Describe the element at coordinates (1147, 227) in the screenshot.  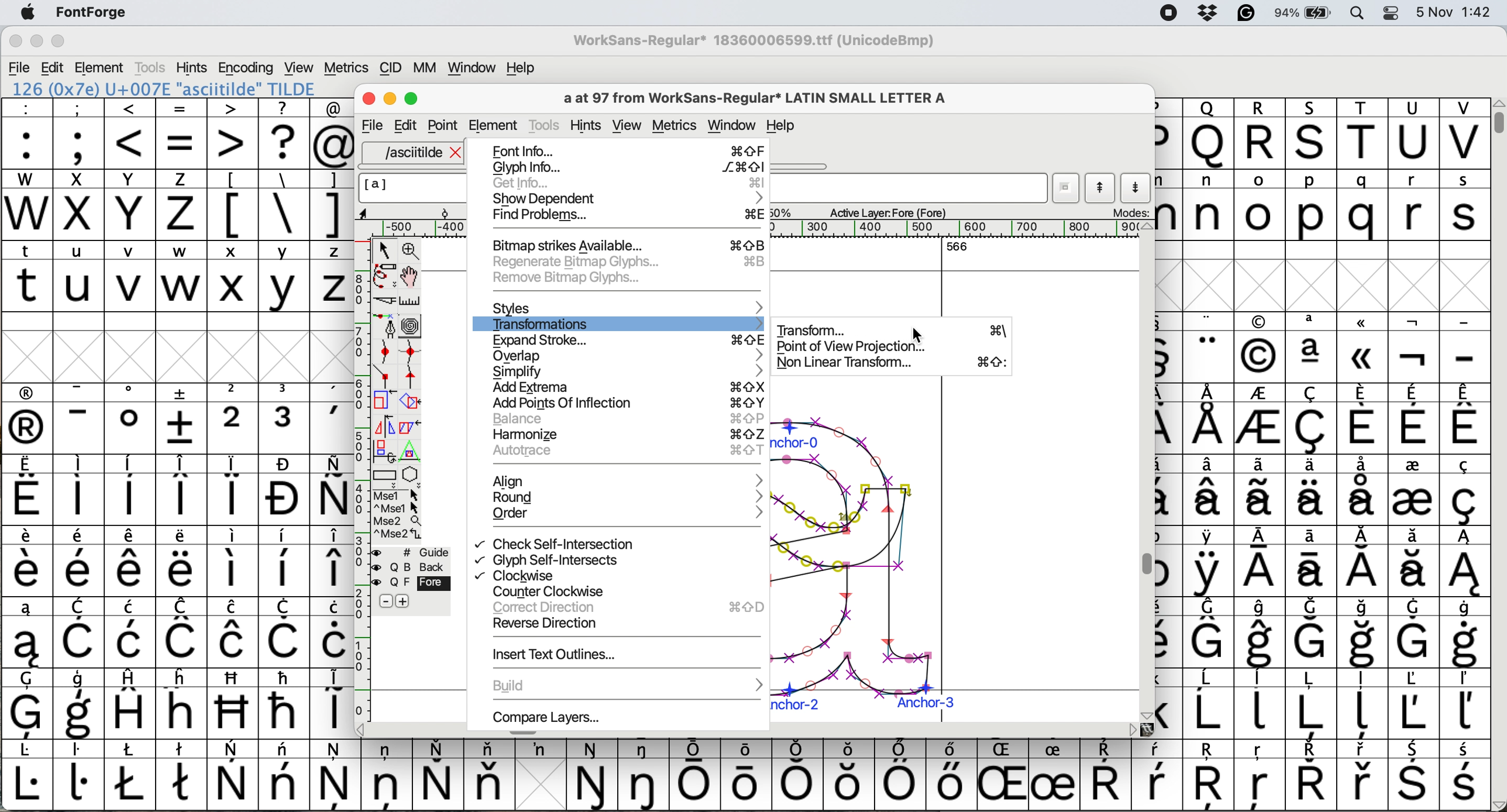
I see `scroll button` at that location.